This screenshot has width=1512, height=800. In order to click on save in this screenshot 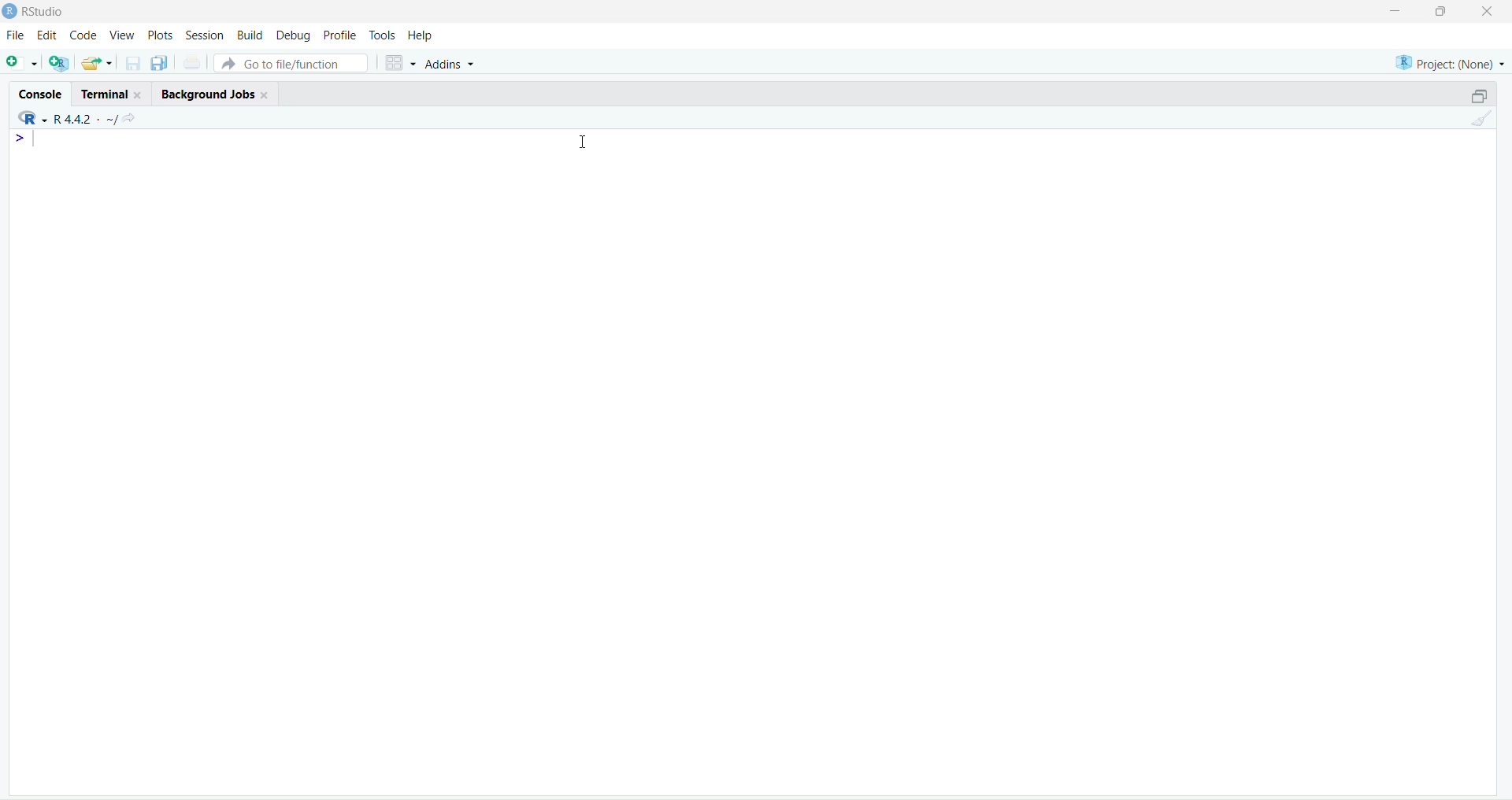, I will do `click(134, 63)`.